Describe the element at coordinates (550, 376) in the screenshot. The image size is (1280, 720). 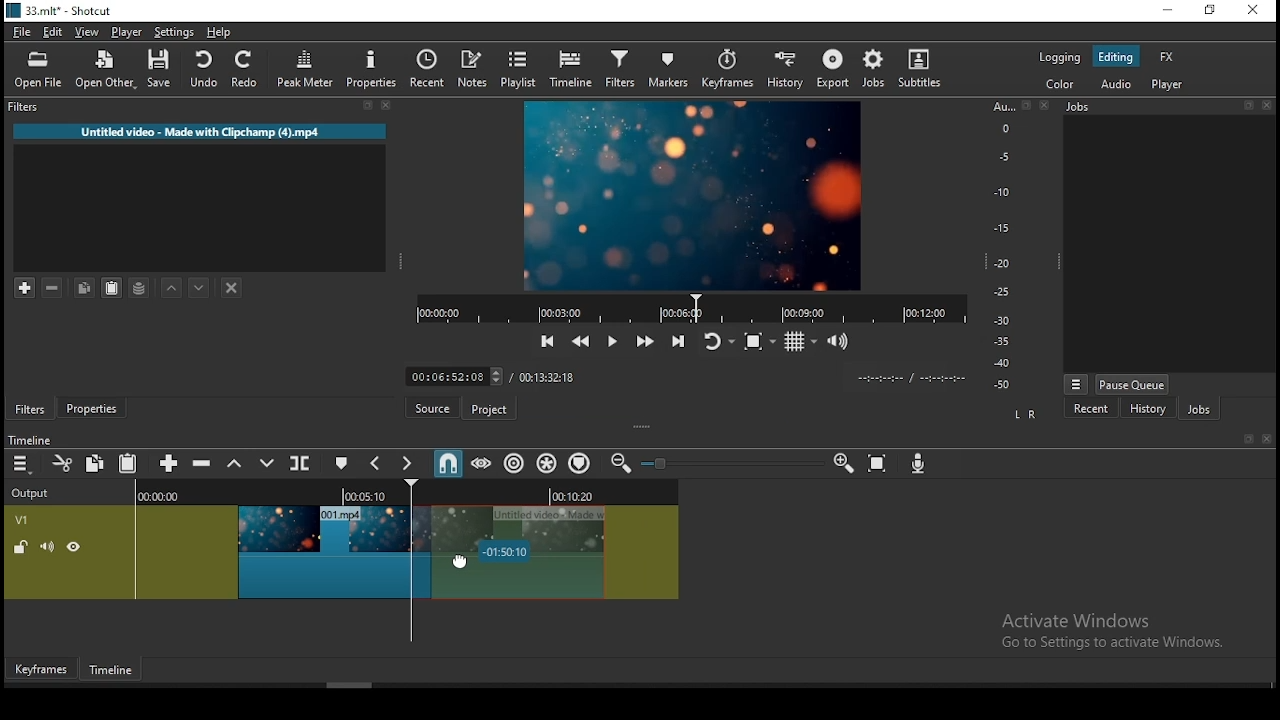
I see `track duration` at that location.